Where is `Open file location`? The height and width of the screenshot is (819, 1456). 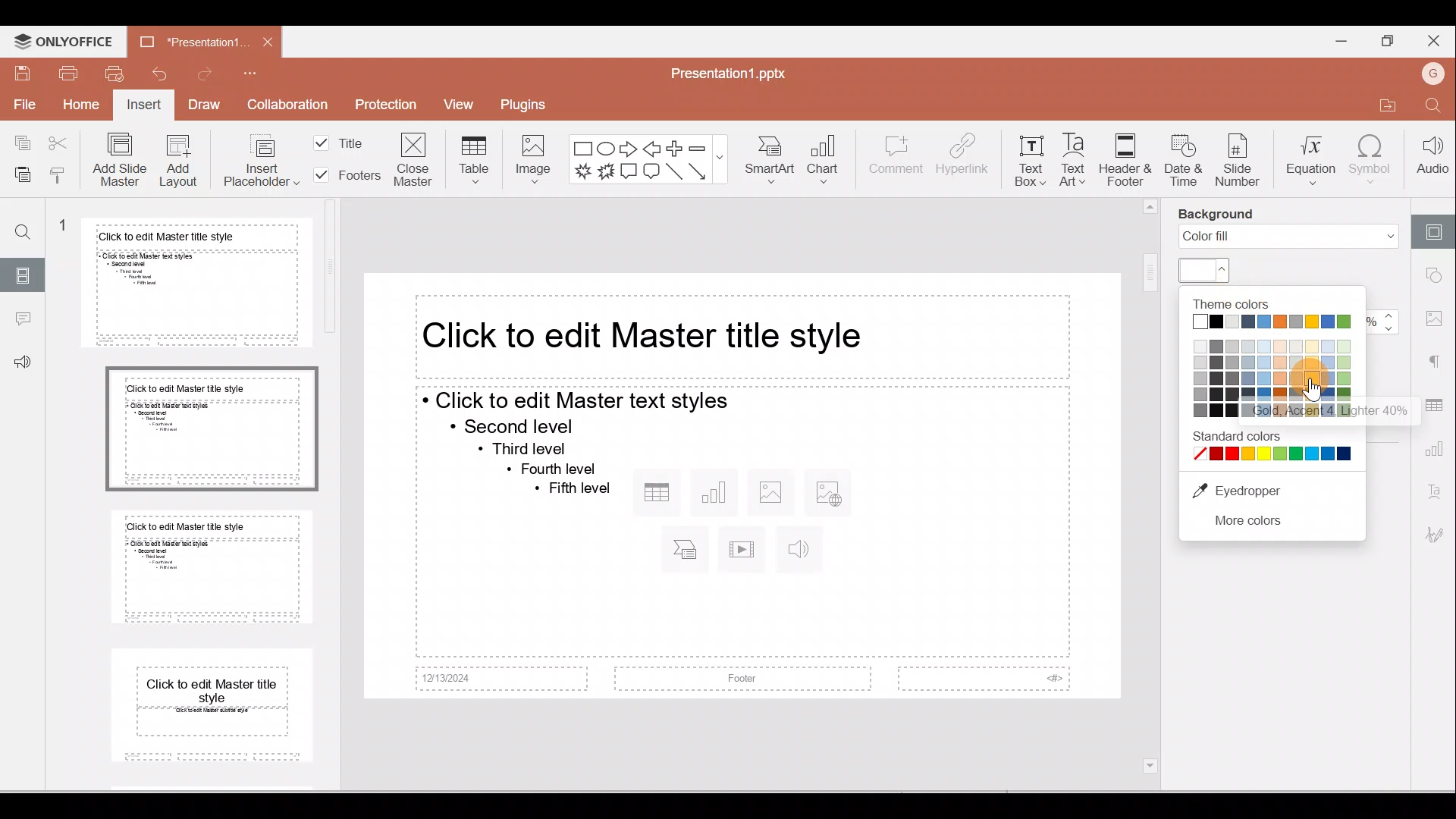
Open file location is located at coordinates (1388, 108).